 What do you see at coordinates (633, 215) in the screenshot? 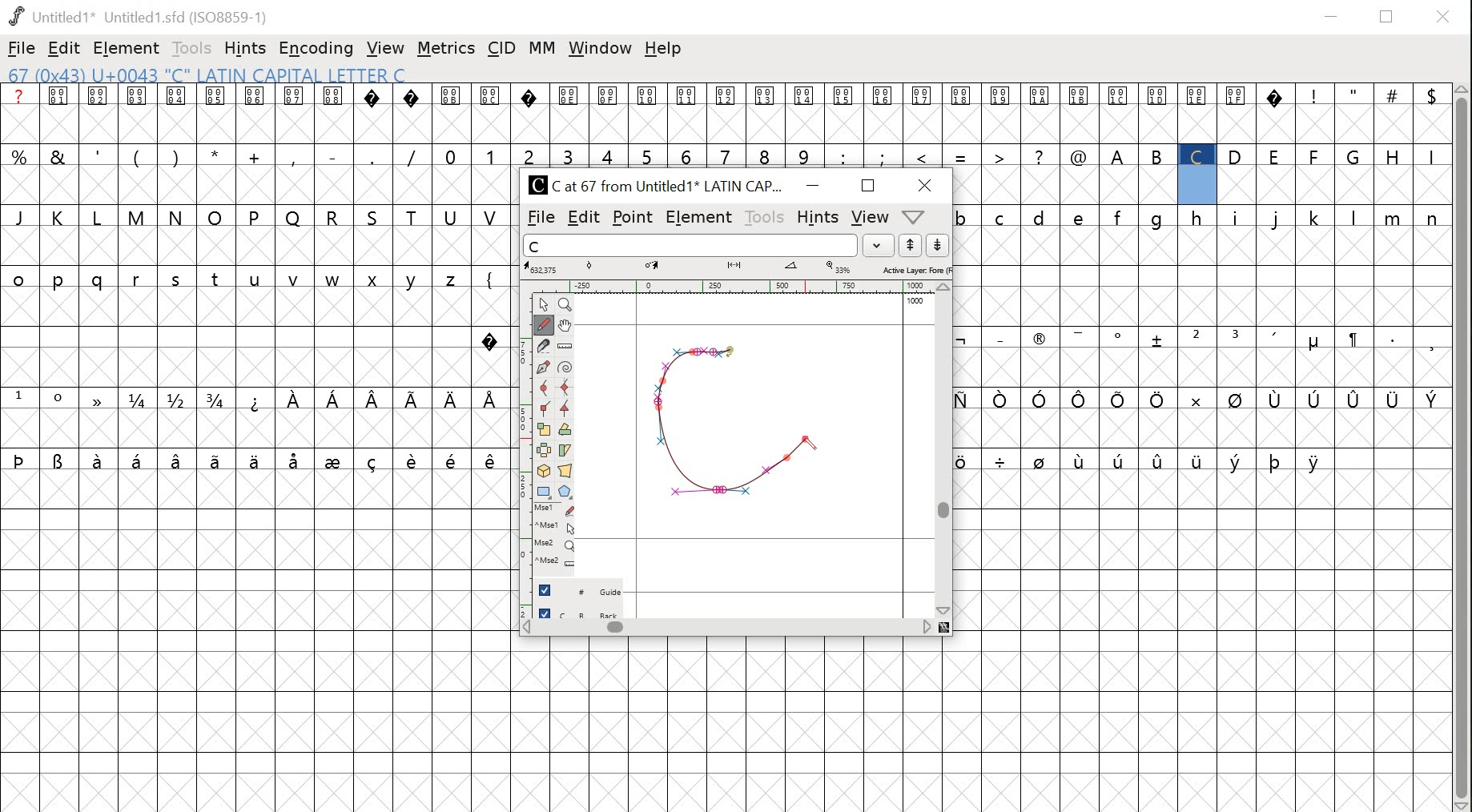
I see `point` at bounding box center [633, 215].